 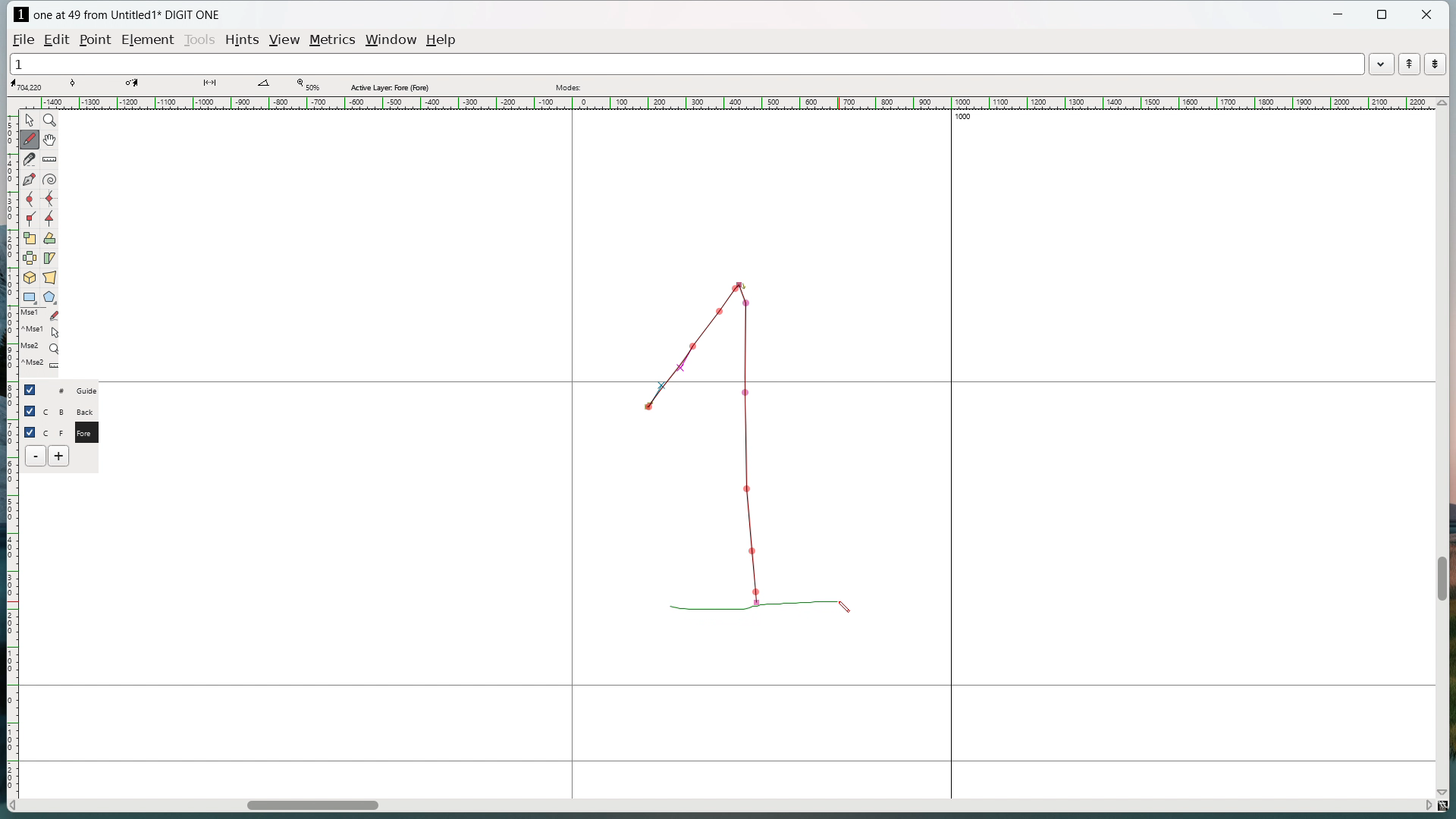 I want to click on rotate selection in 3d and project back to the place, so click(x=30, y=277).